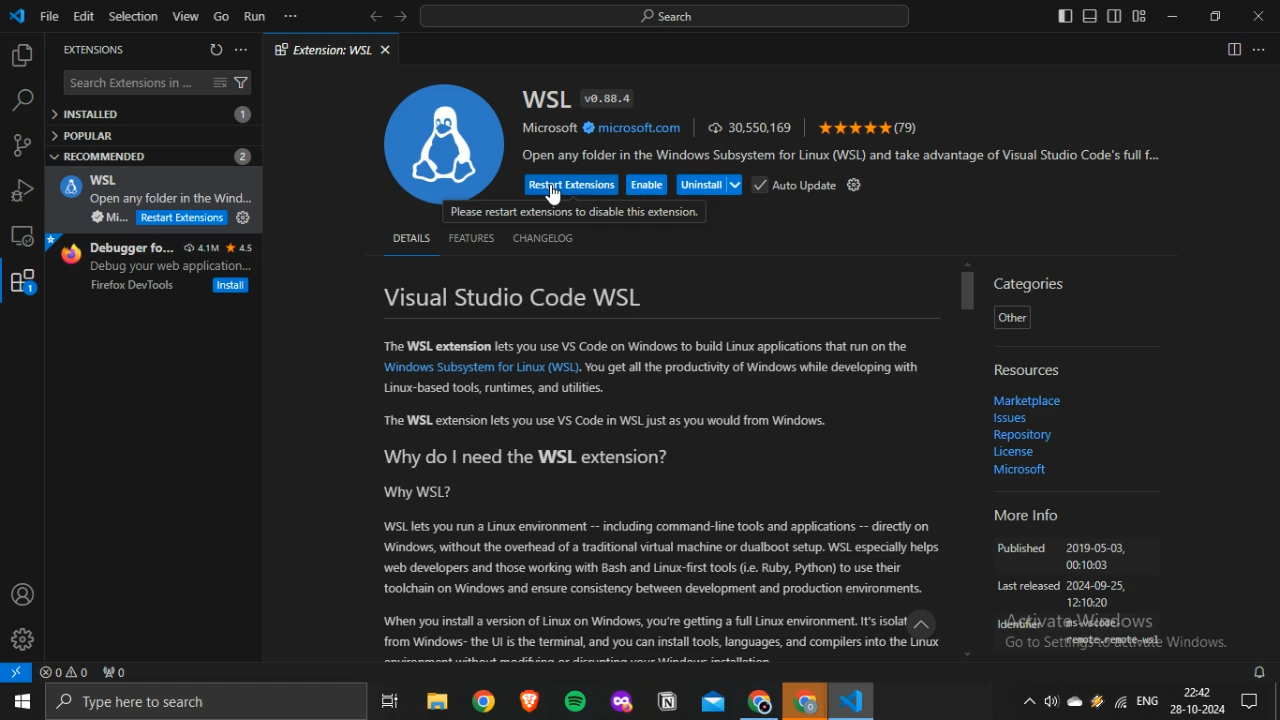 Image resolution: width=1280 pixels, height=720 pixels. Describe the element at coordinates (132, 16) in the screenshot. I see `Selection` at that location.